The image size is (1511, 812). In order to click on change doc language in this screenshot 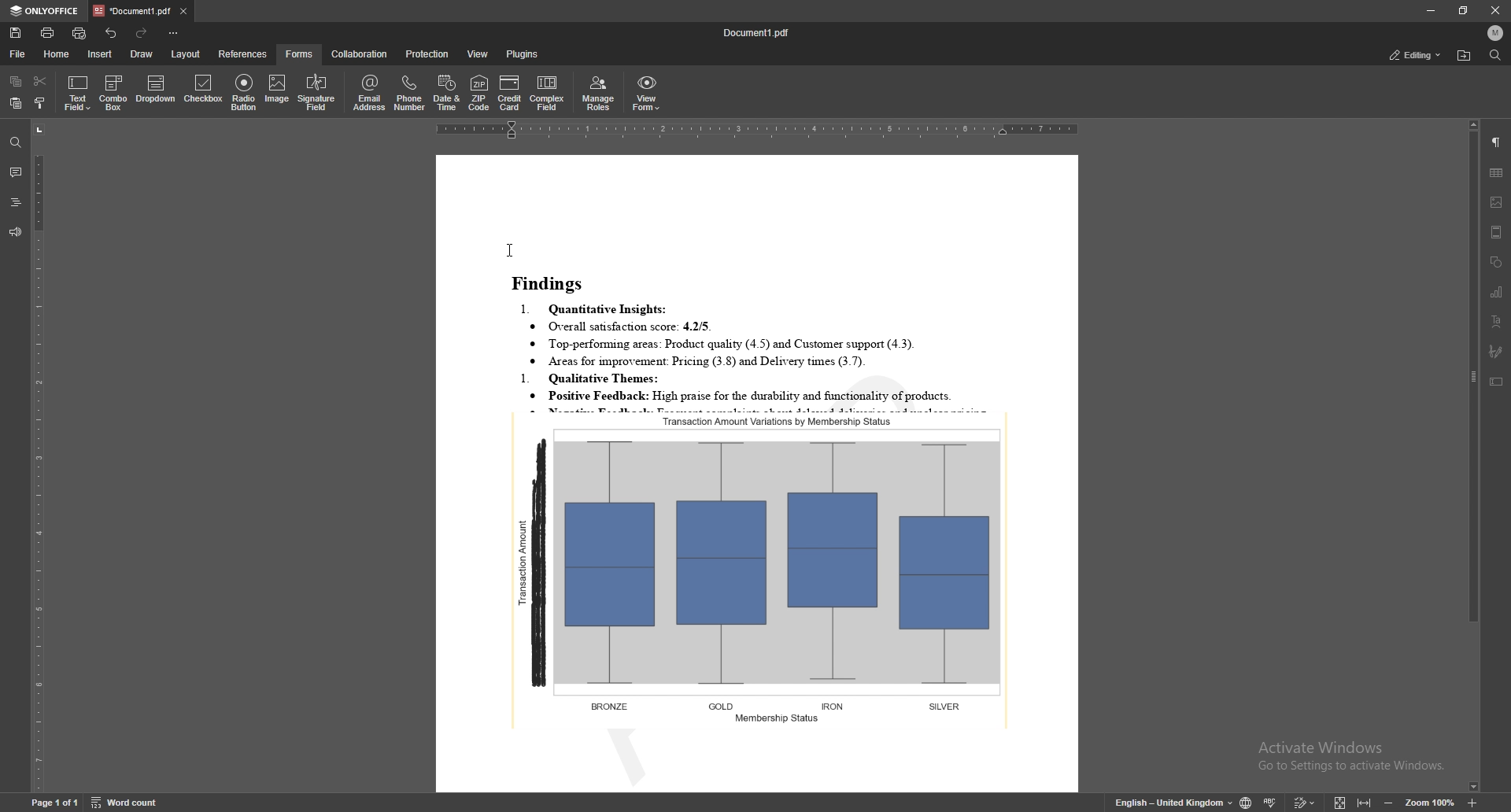, I will do `click(1245, 802)`.